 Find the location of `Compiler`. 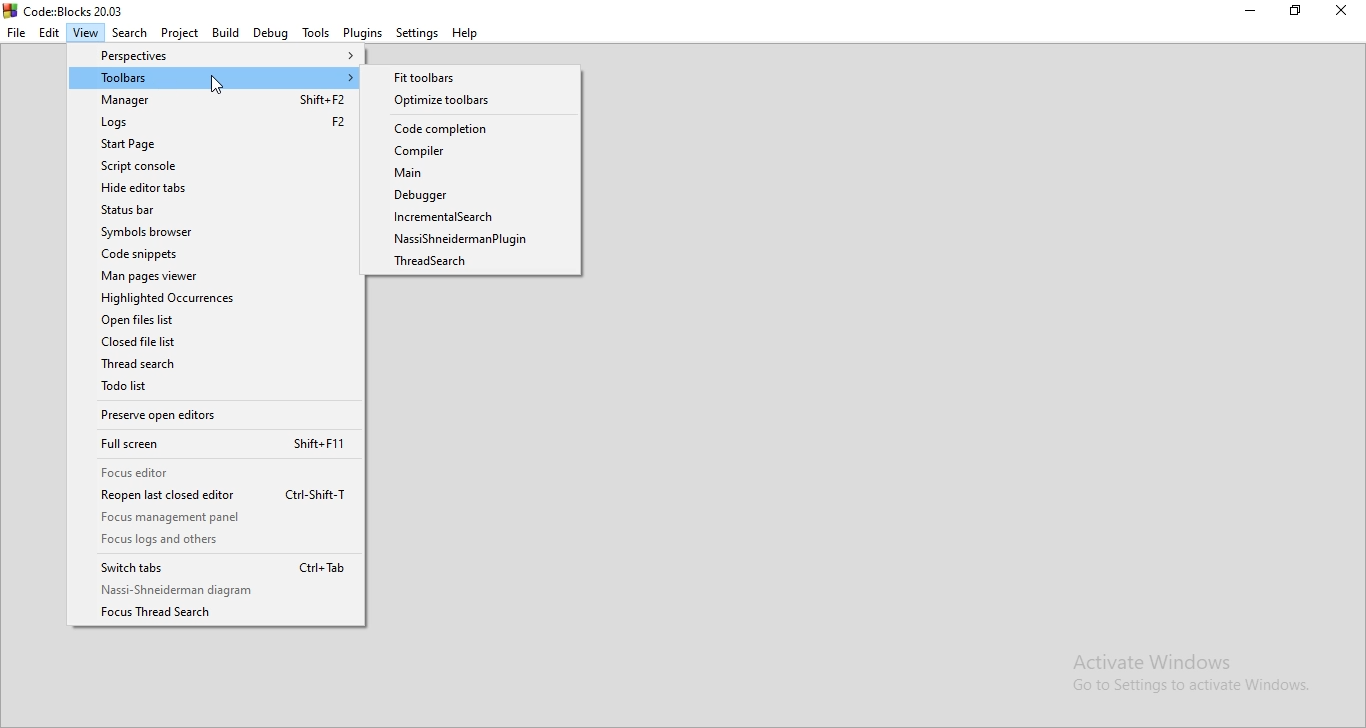

Compiler is located at coordinates (473, 150).